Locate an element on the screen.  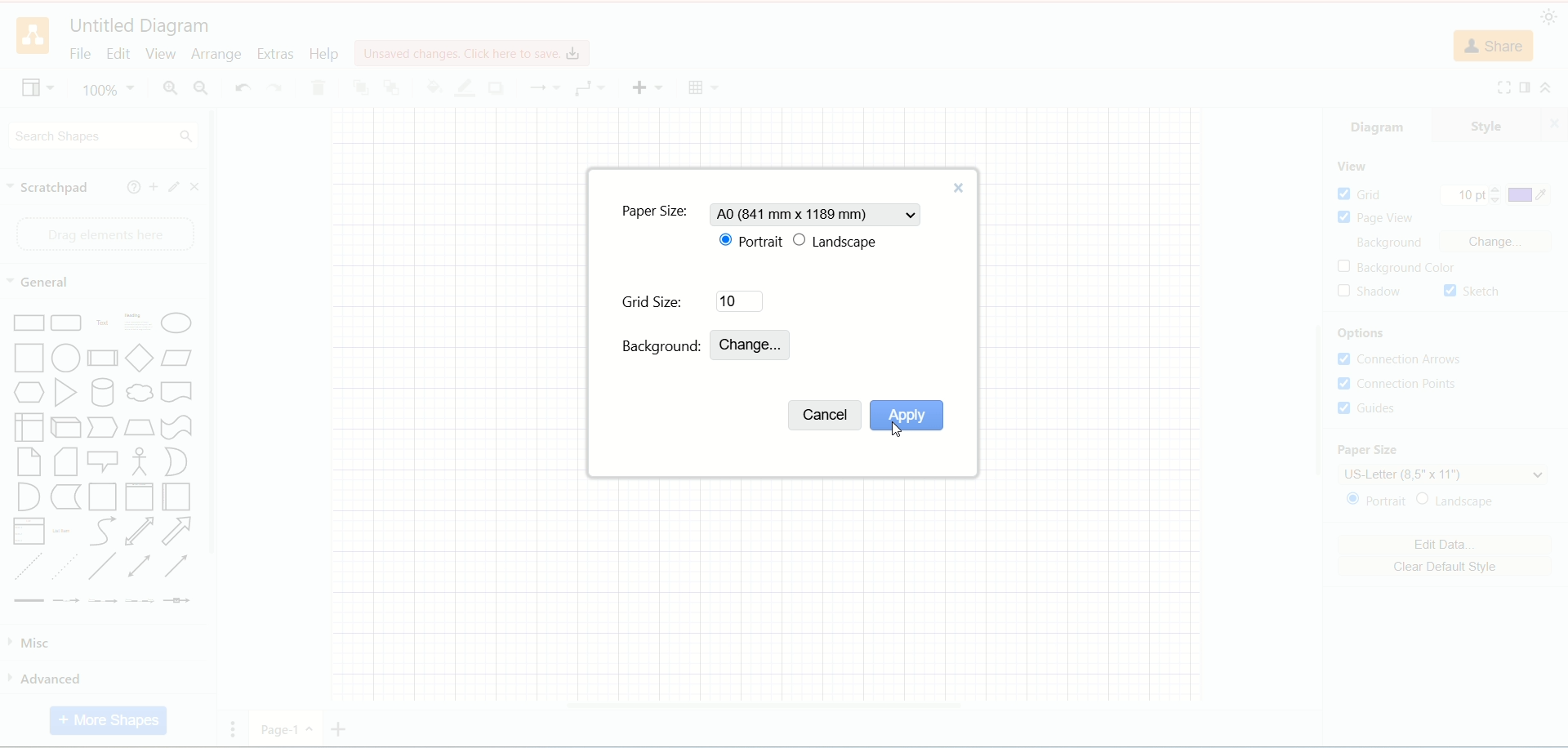
to front is located at coordinates (359, 86).